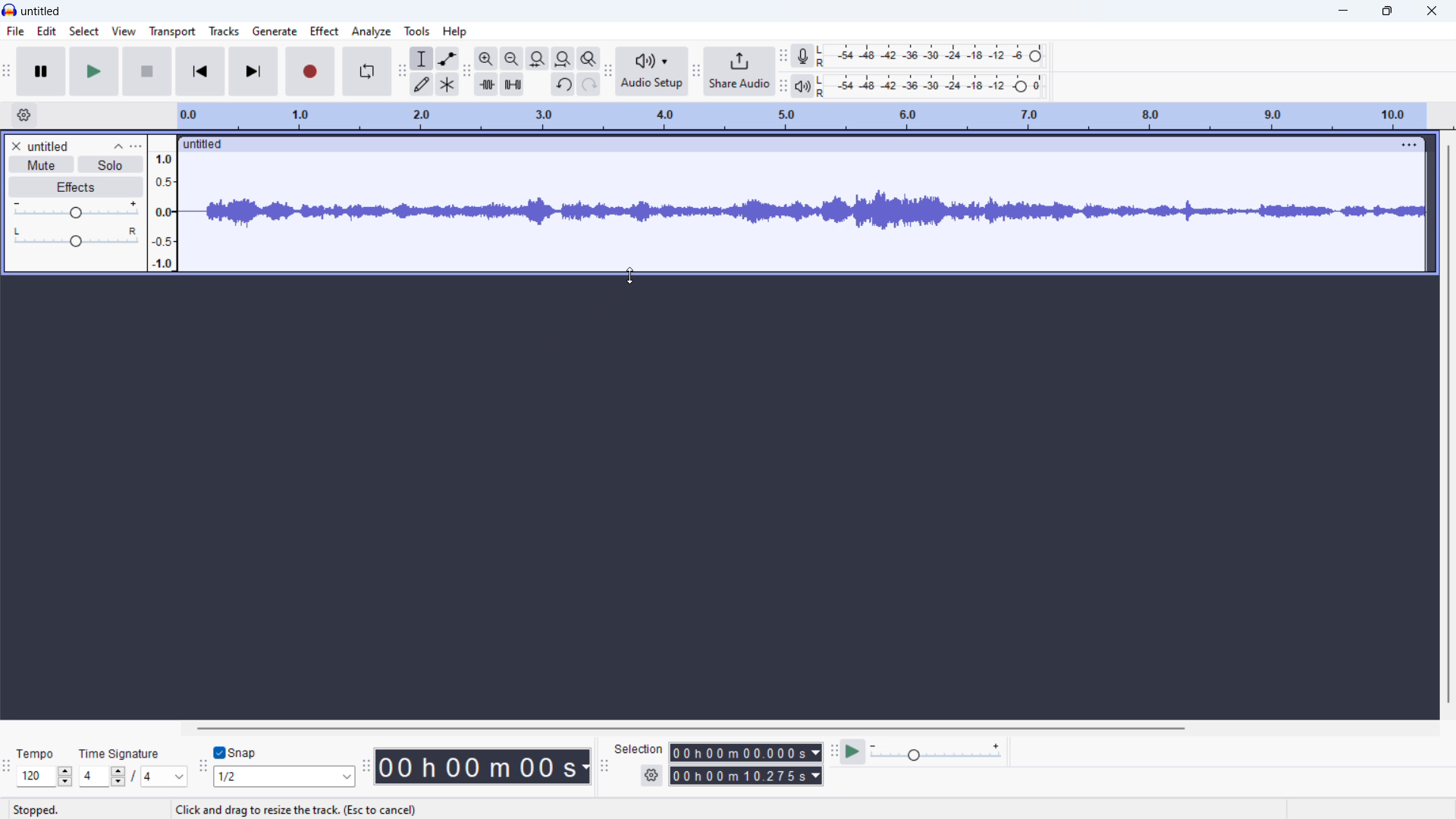 The height and width of the screenshot is (819, 1456). What do you see at coordinates (834, 751) in the screenshot?
I see `play at speed toolbar` at bounding box center [834, 751].